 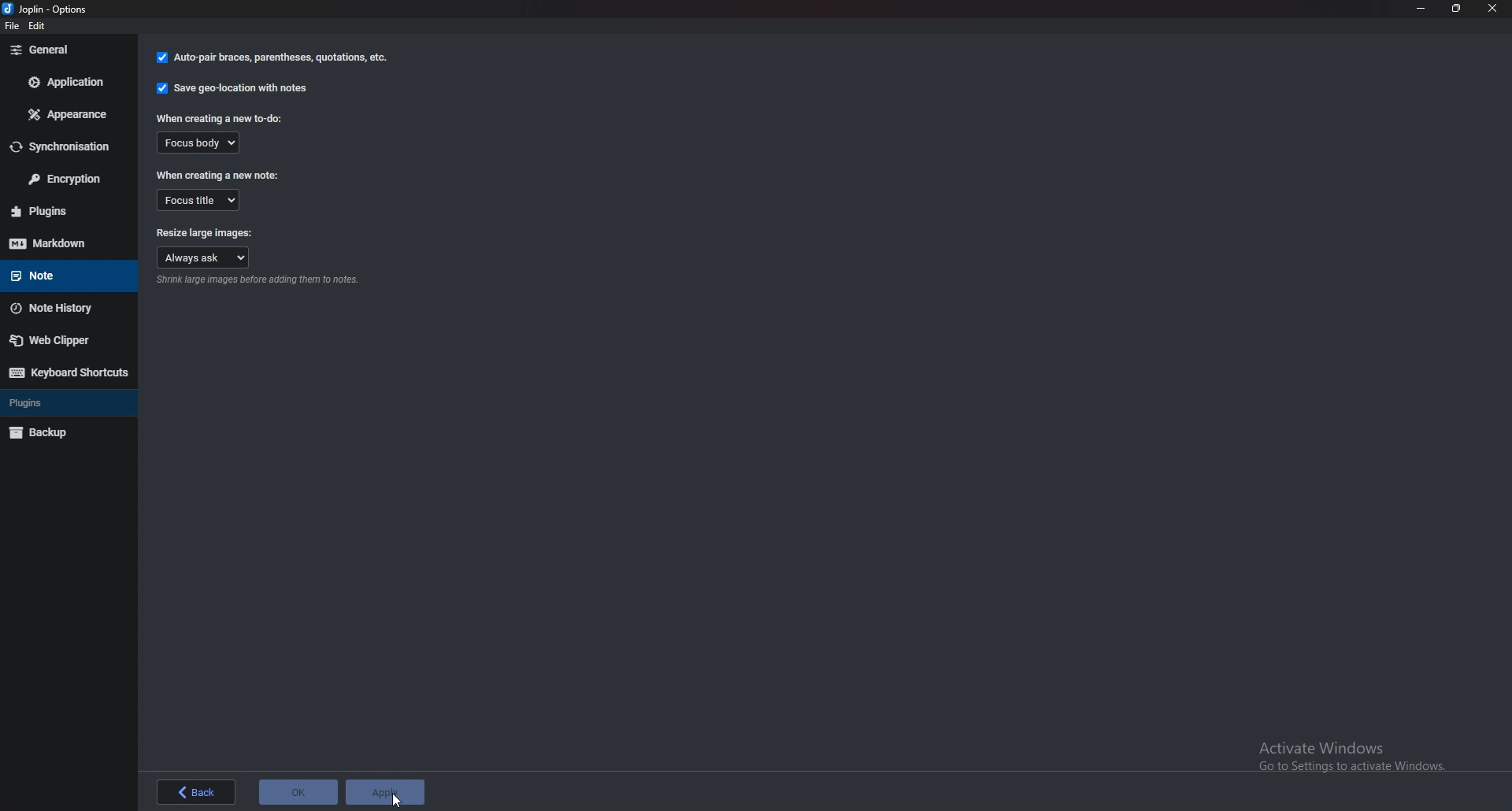 I want to click on Minimize, so click(x=1421, y=9).